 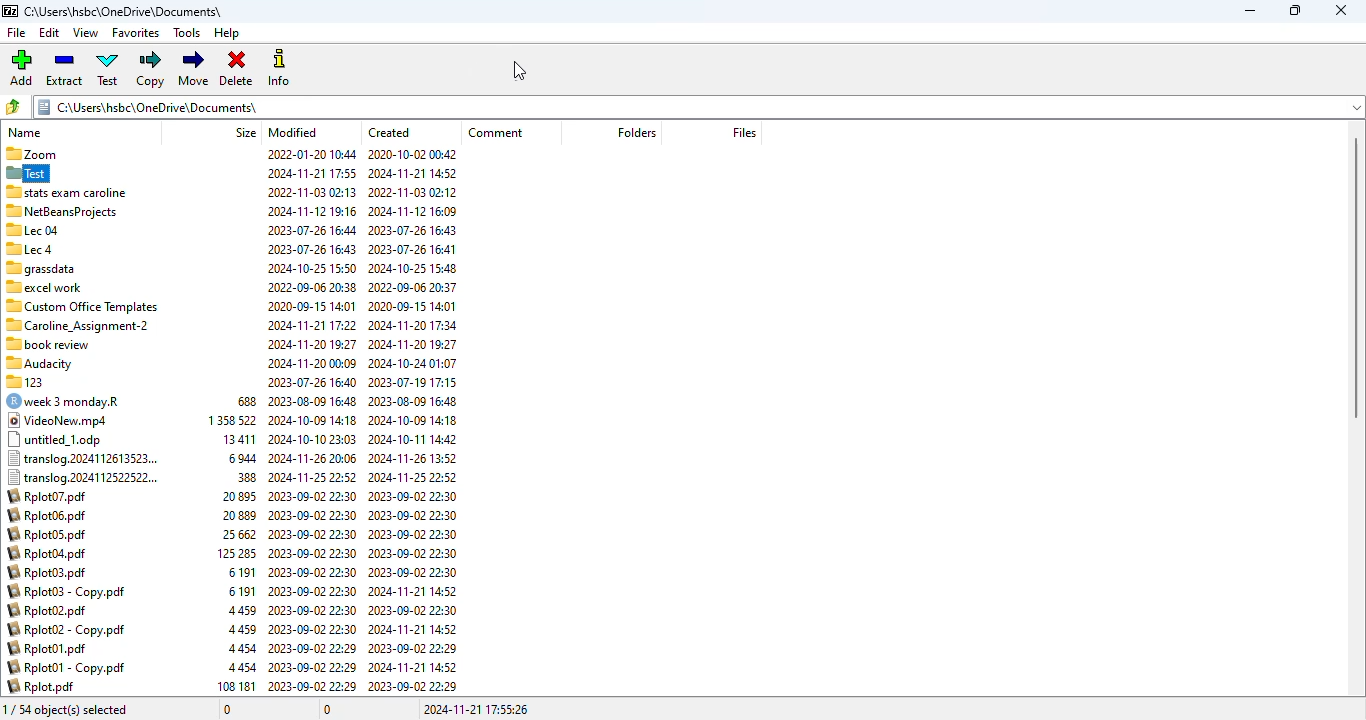 What do you see at coordinates (413, 420) in the screenshot?
I see `2024-10-09 14:18` at bounding box center [413, 420].